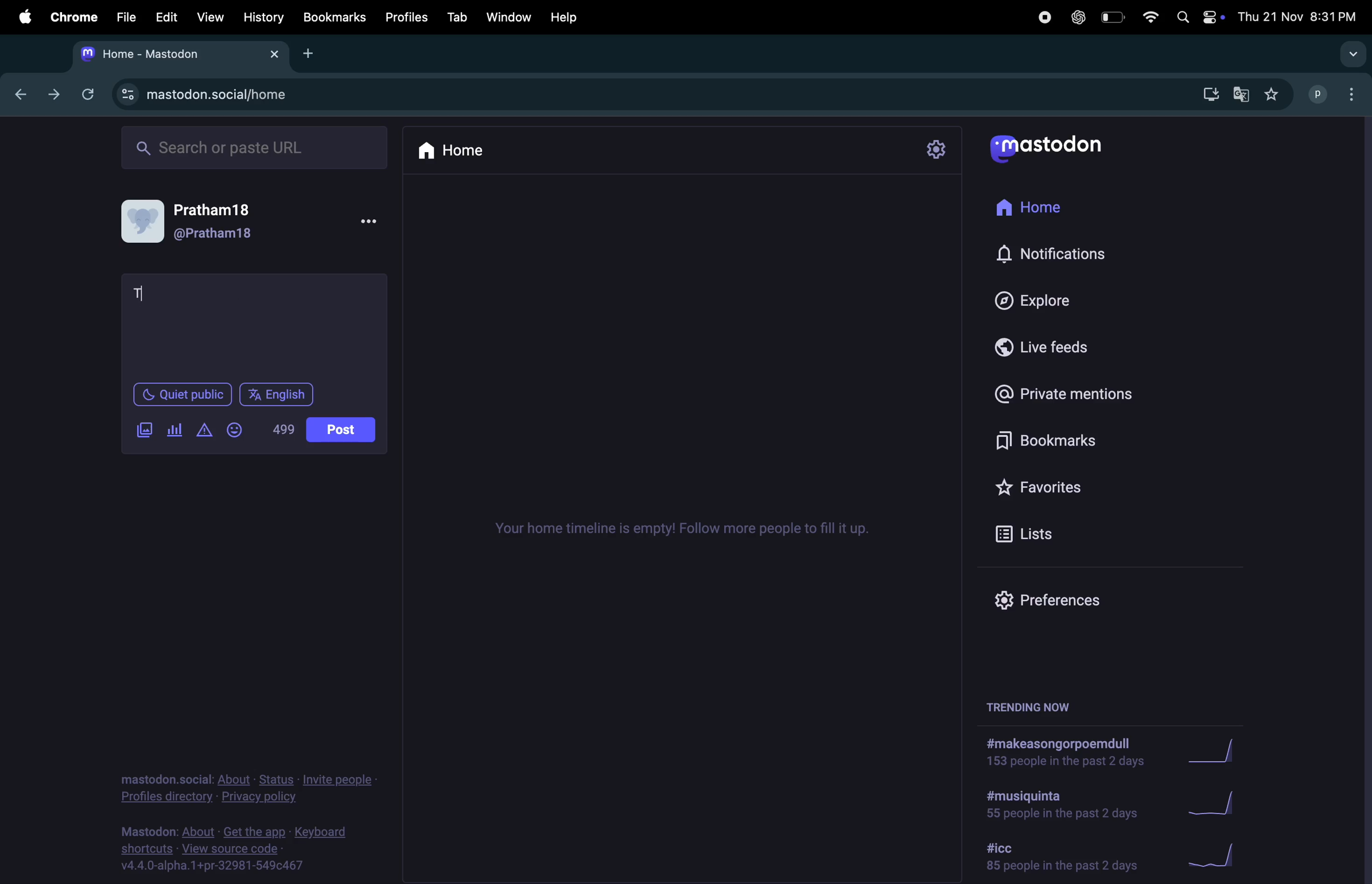 The image size is (1372, 884). What do you see at coordinates (204, 429) in the screenshot?
I see `add content warning` at bounding box center [204, 429].